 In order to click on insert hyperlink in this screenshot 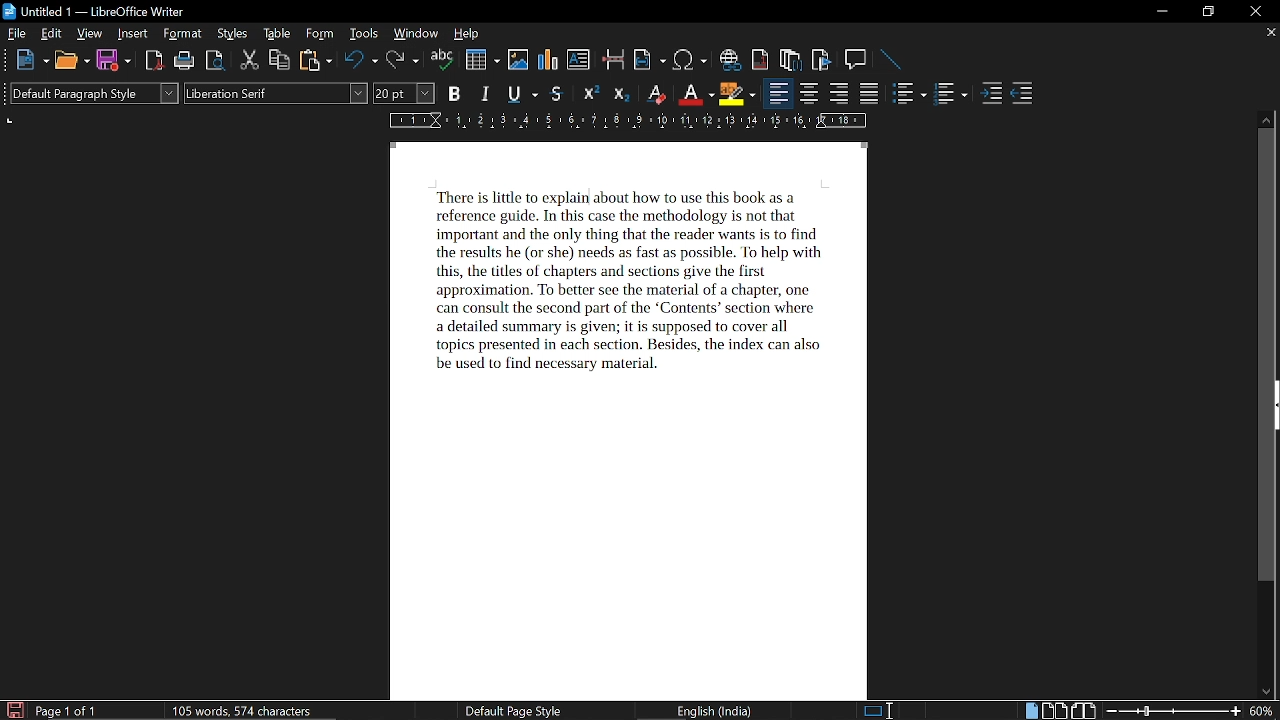, I will do `click(730, 59)`.